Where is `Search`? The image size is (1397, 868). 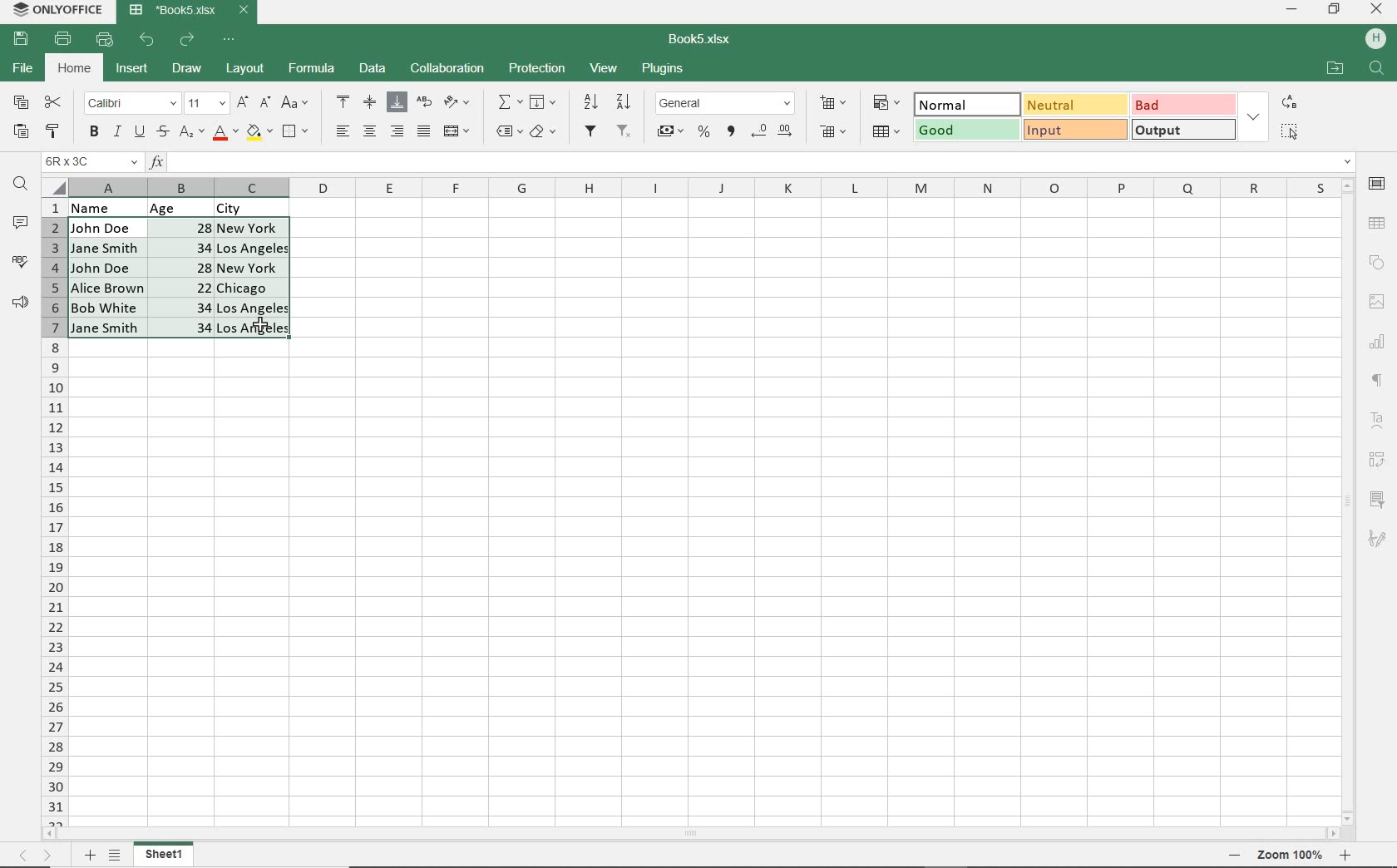
Search is located at coordinates (1377, 69).